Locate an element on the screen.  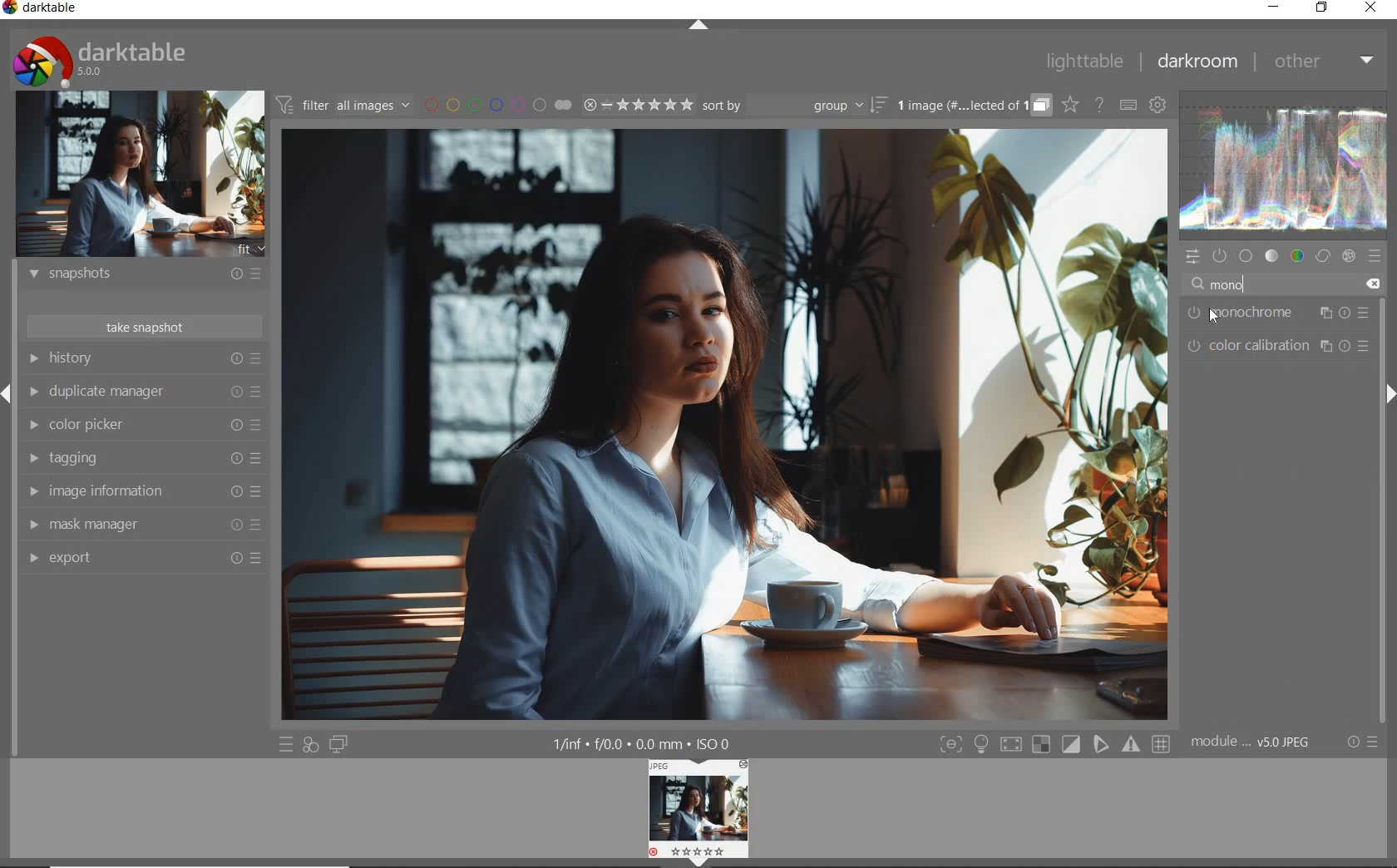
take snapshot is located at coordinates (143, 326).